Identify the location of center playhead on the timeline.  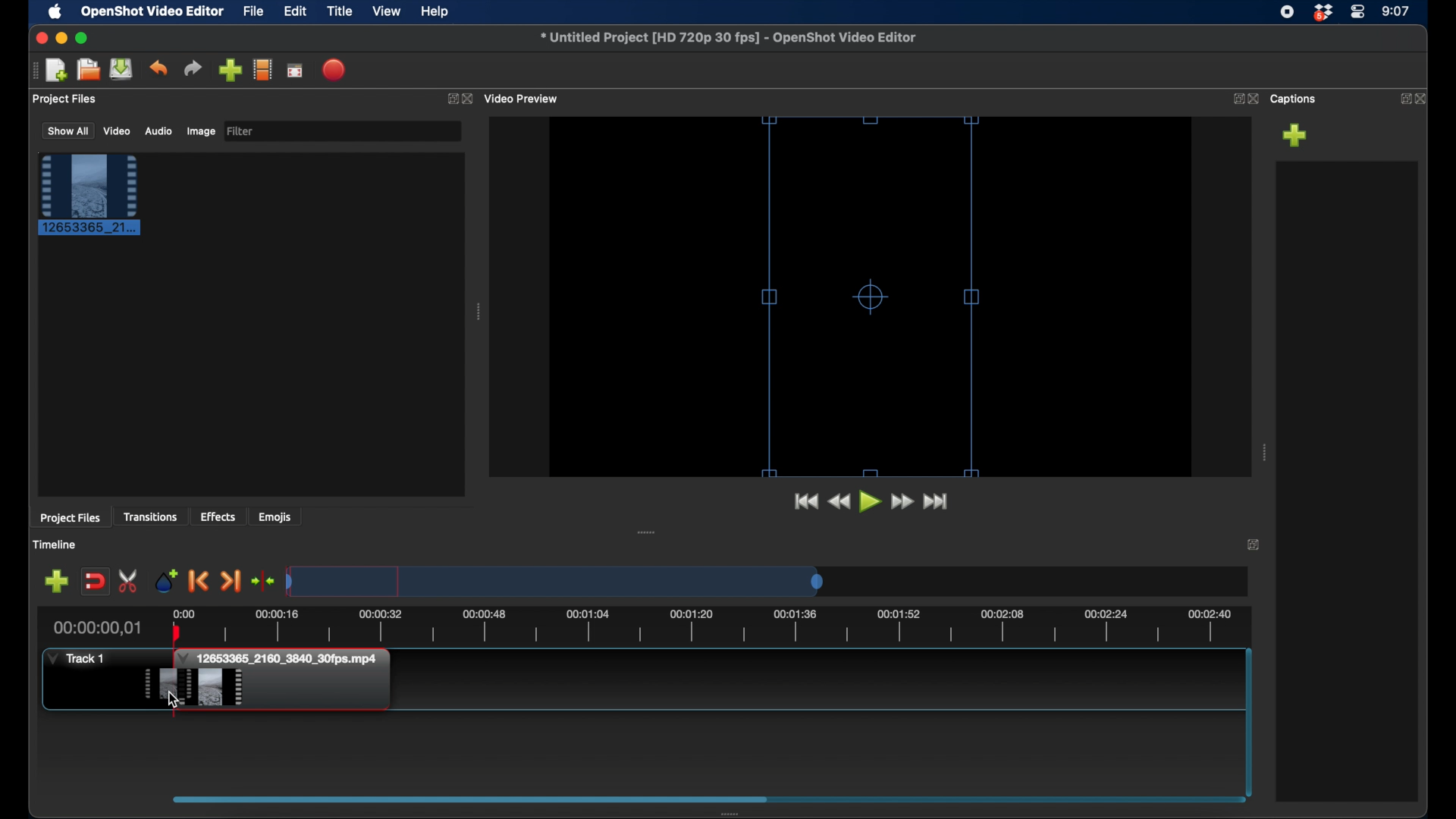
(262, 581).